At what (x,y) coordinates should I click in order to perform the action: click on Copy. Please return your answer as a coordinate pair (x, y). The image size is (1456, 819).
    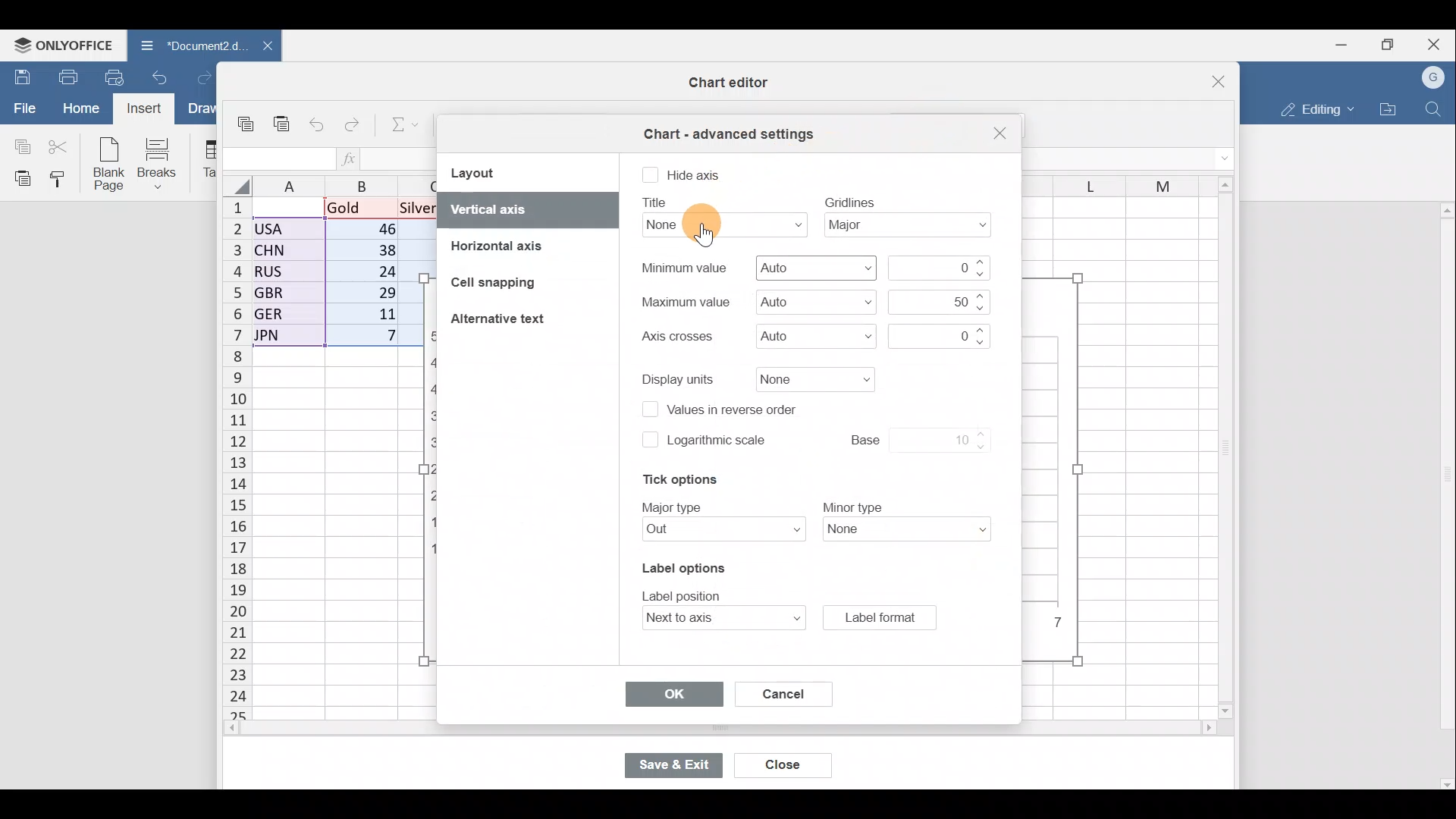
    Looking at the image, I should click on (246, 121).